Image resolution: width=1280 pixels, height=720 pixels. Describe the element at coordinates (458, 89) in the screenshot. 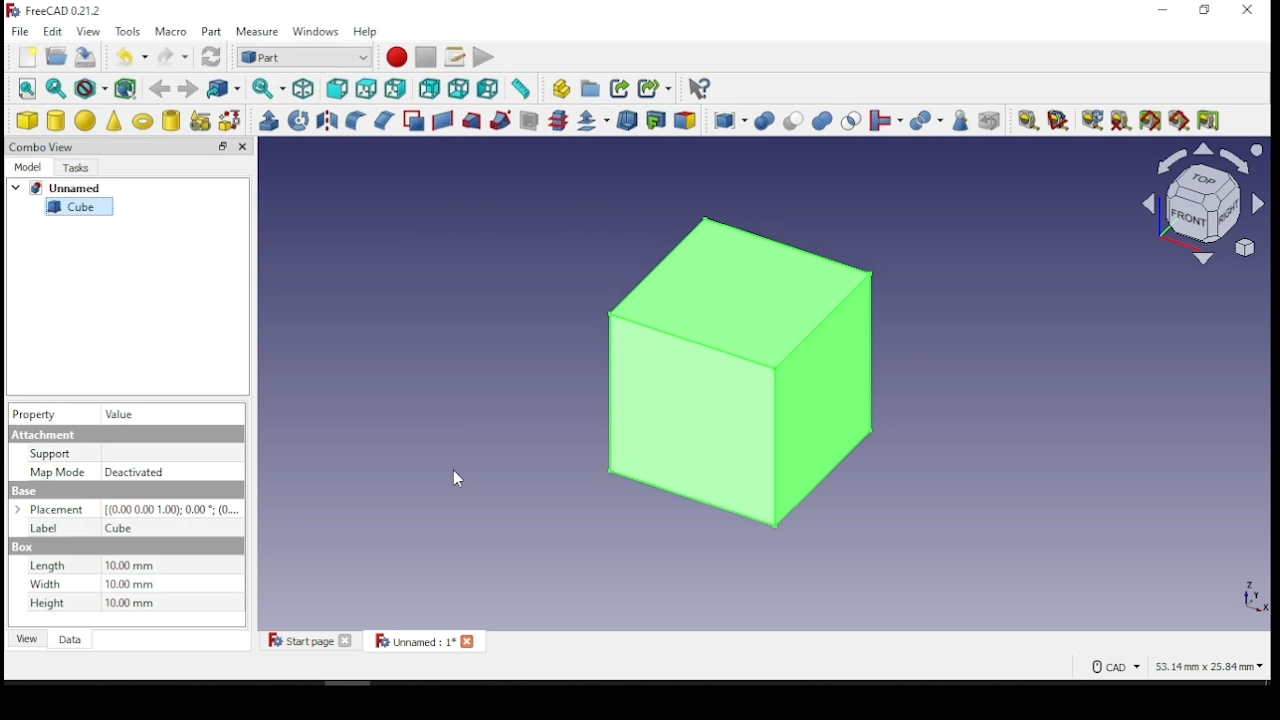

I see `bottom` at that location.